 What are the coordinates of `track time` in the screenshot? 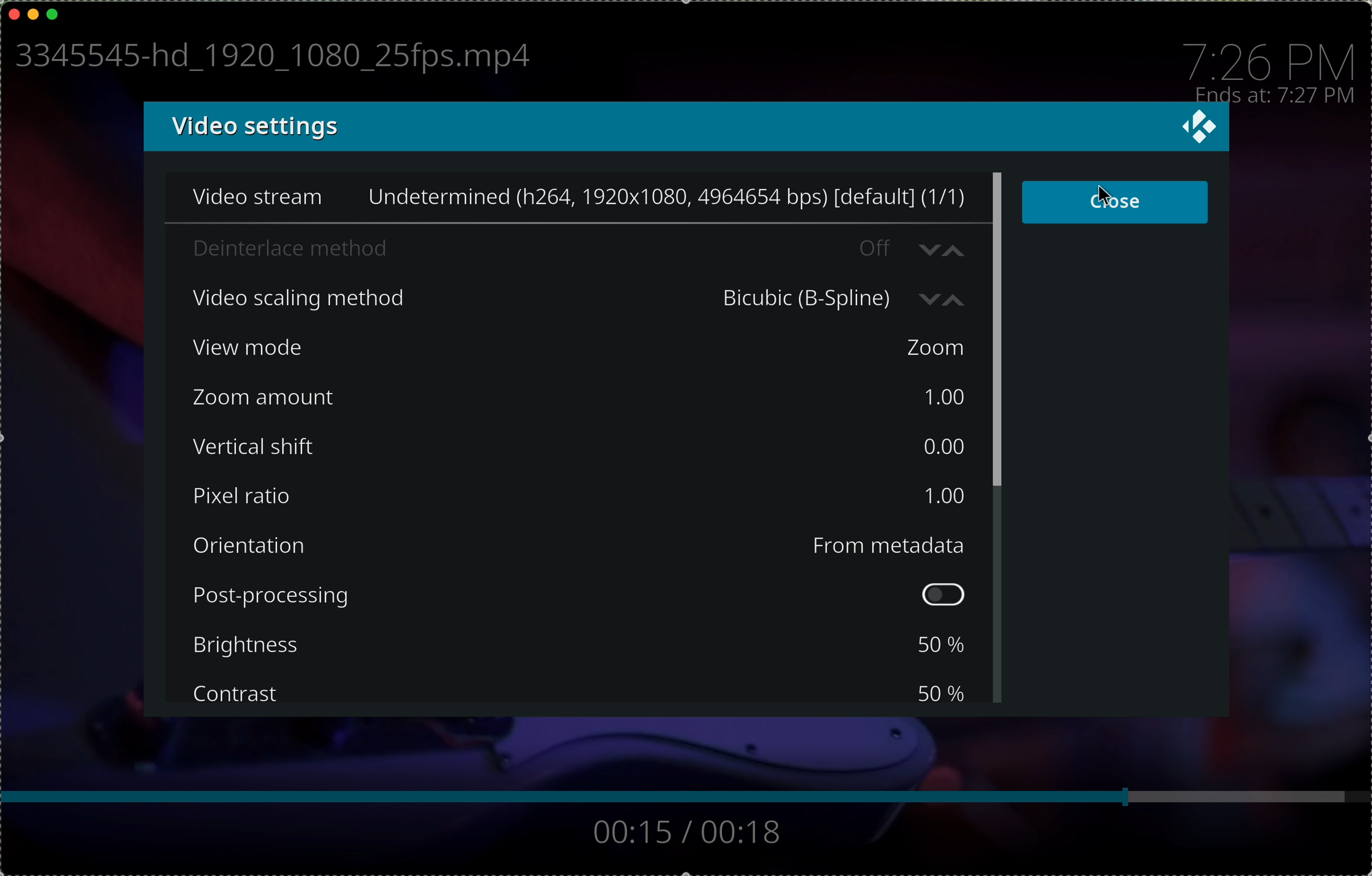 It's located at (693, 833).